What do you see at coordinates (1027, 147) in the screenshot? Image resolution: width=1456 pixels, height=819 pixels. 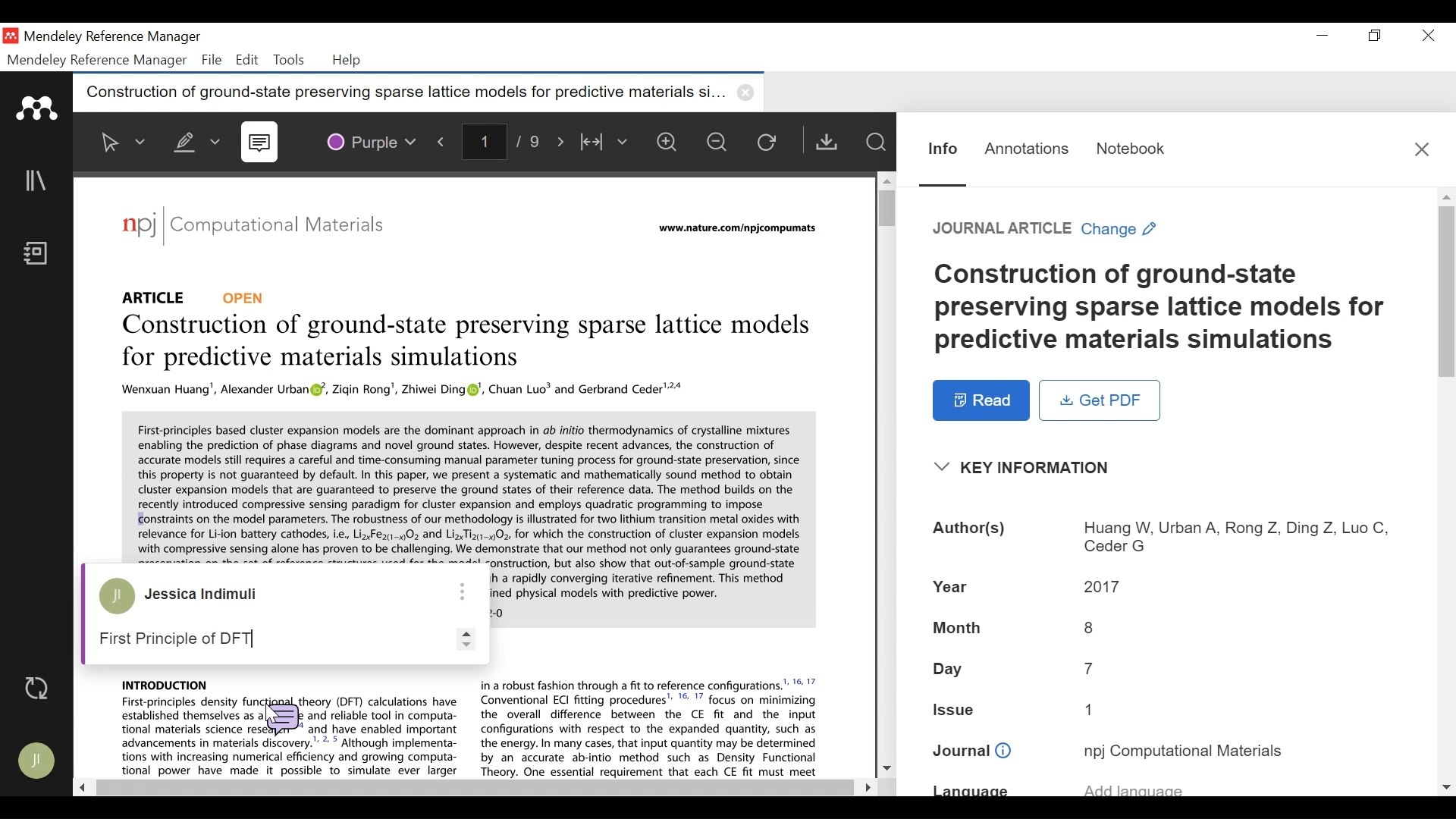 I see `Annotations` at bounding box center [1027, 147].